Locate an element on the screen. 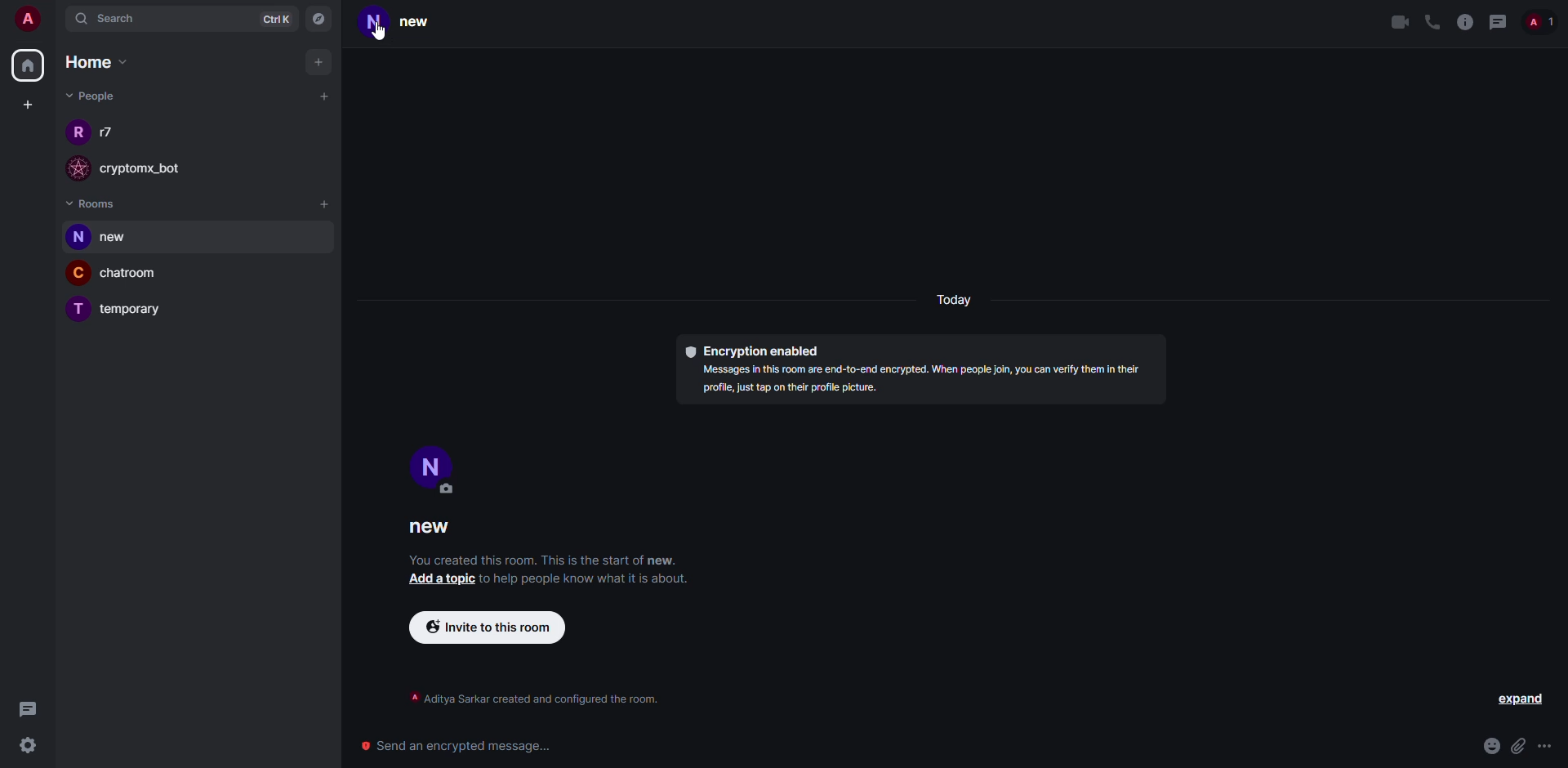  new  is located at coordinates (423, 25).